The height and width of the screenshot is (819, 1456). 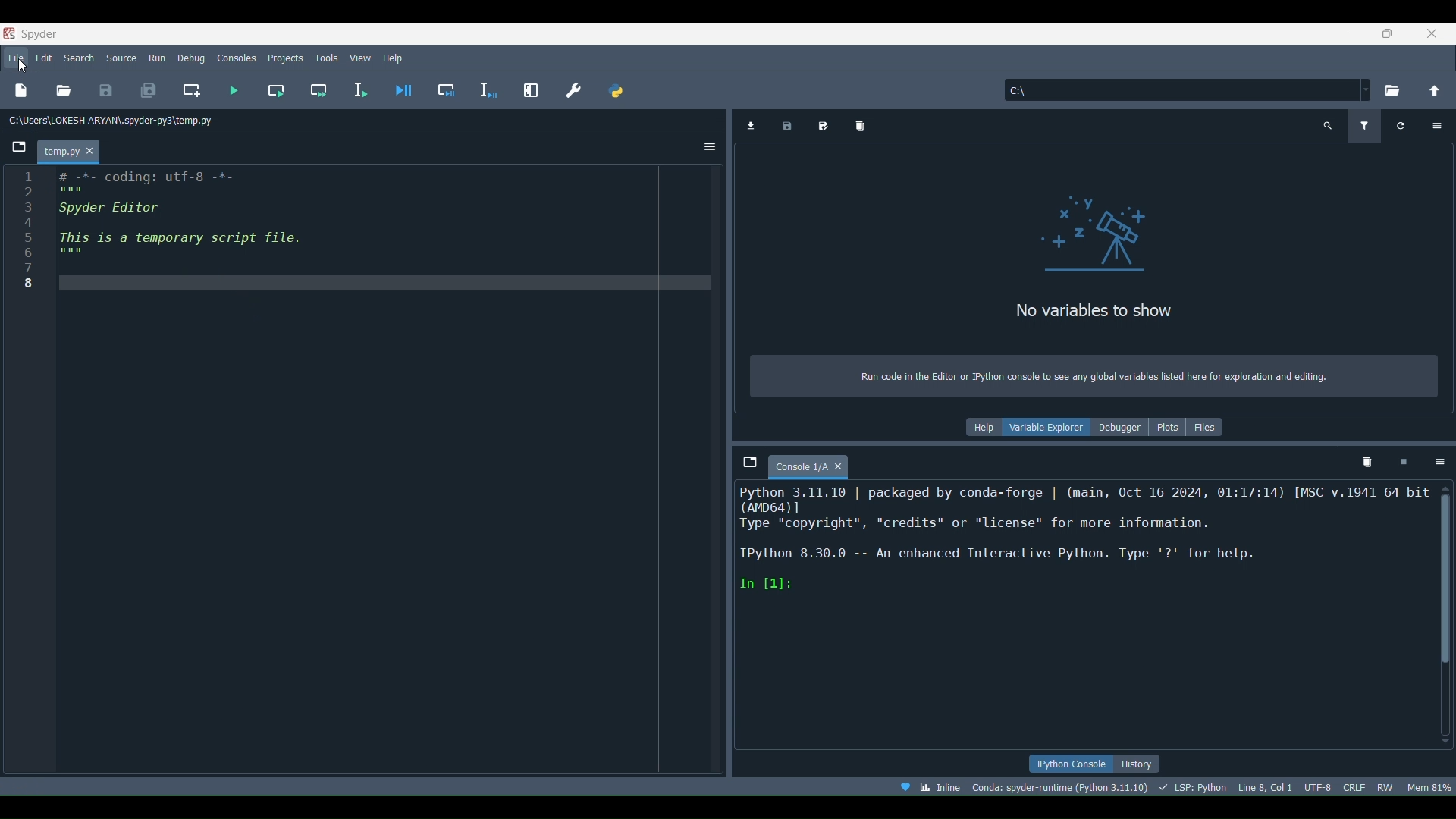 What do you see at coordinates (438, 91) in the screenshot?
I see `Debug cell` at bounding box center [438, 91].